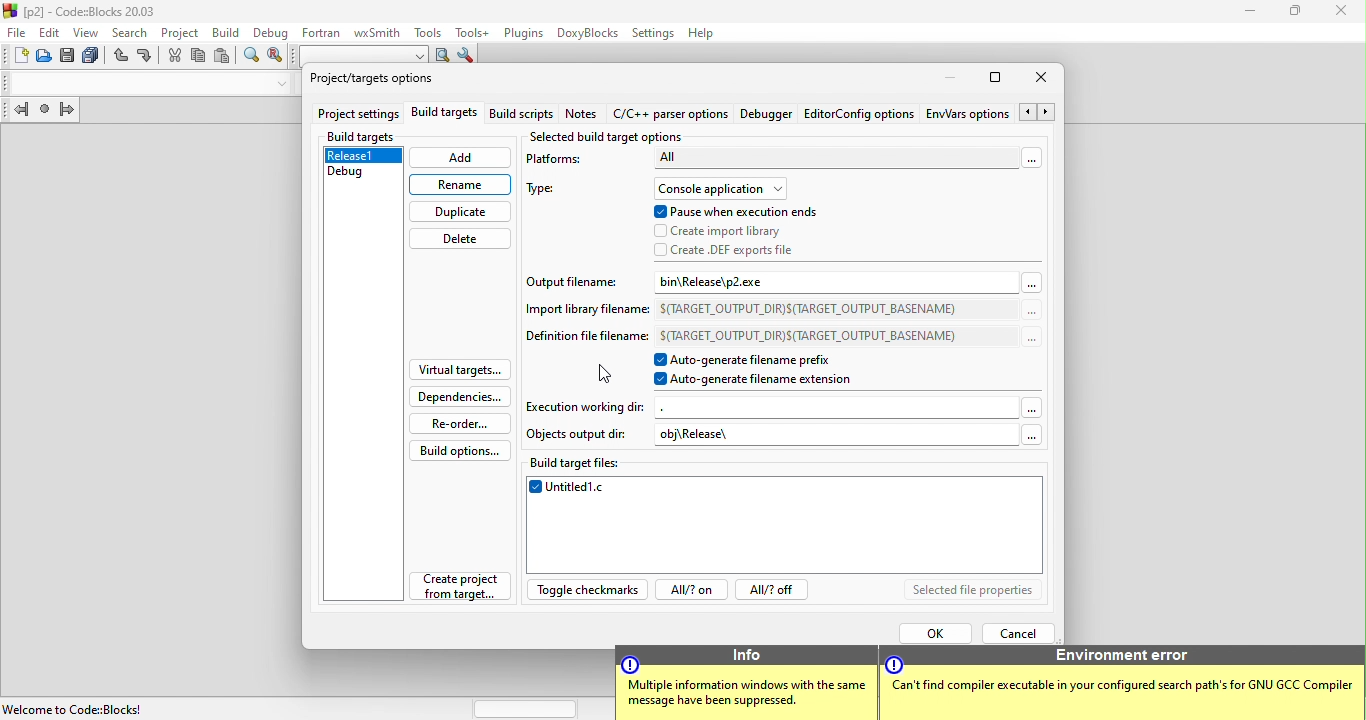  I want to click on , so click(1026, 434).